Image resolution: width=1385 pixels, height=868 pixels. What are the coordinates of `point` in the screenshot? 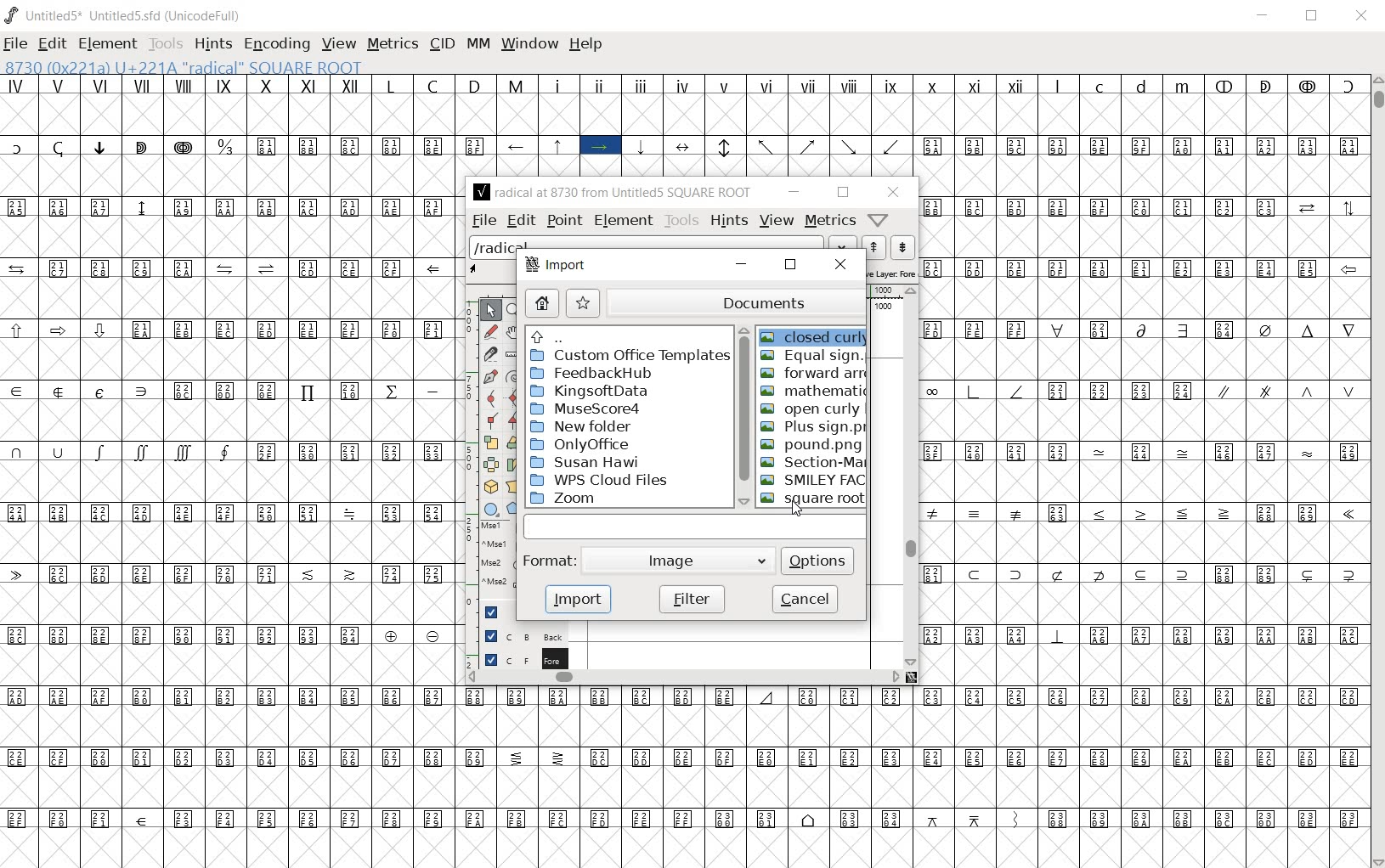 It's located at (565, 219).